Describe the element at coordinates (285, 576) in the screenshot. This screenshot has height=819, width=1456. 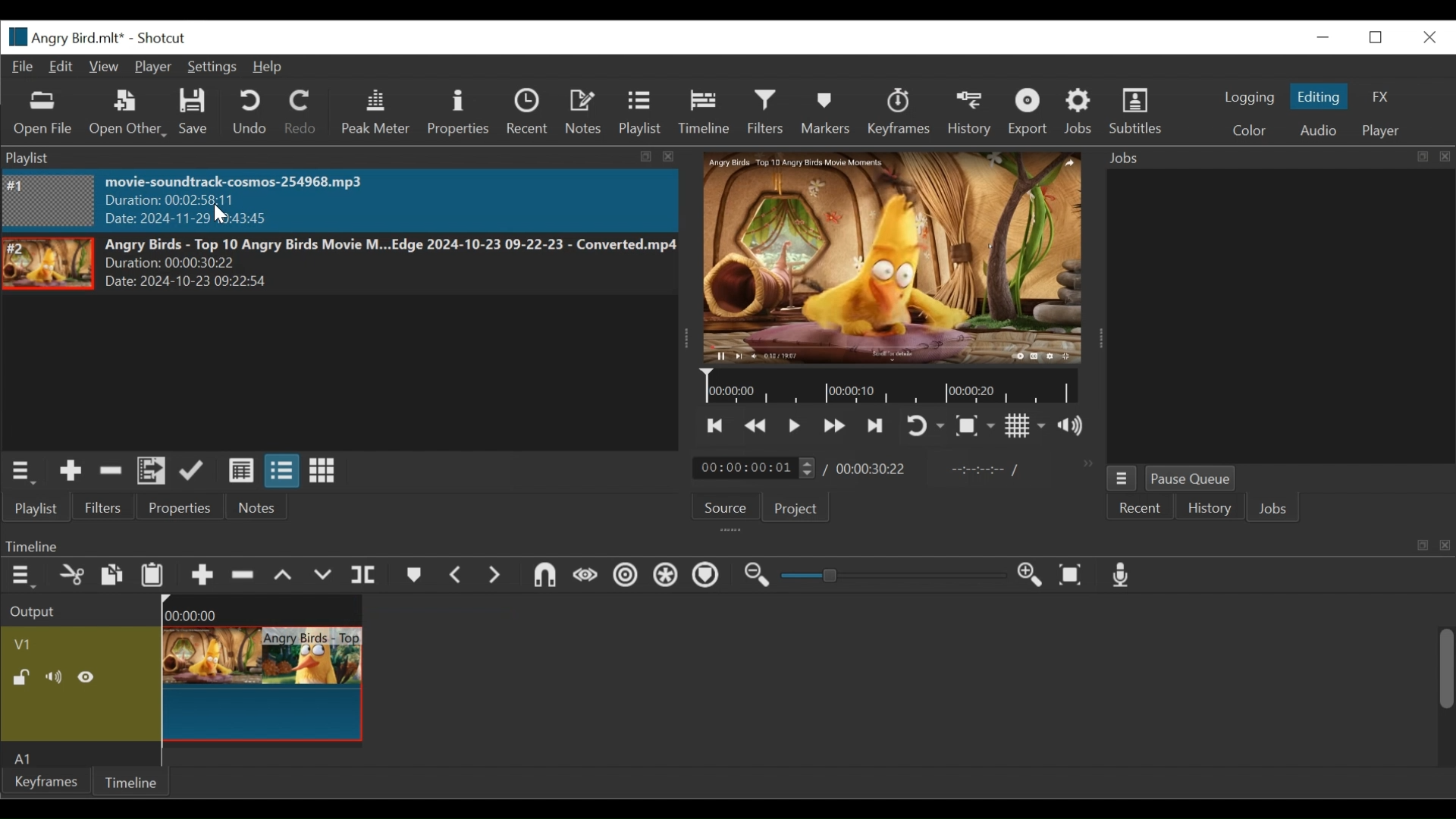
I see `Lift` at that location.